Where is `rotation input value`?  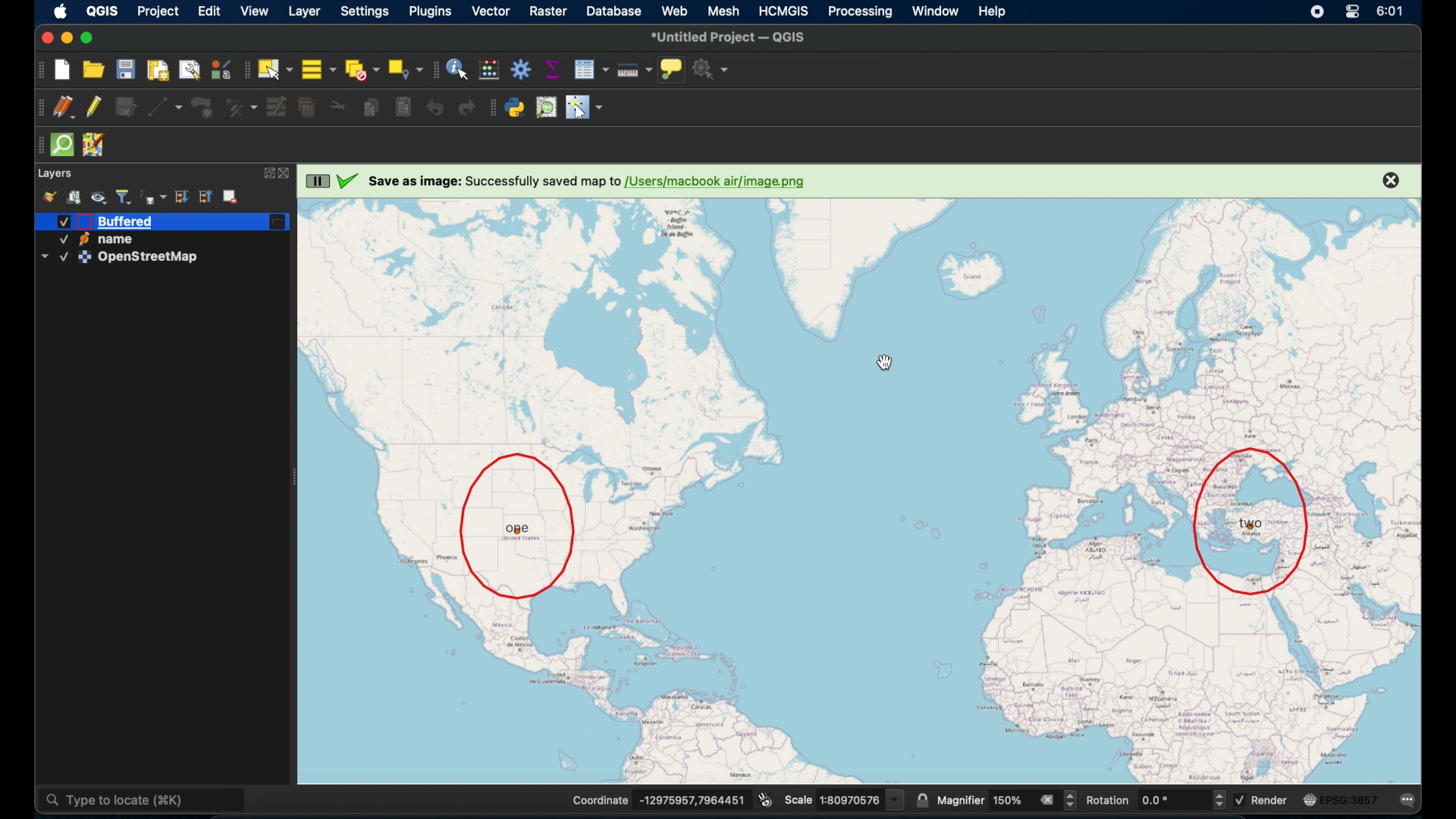
rotation input value is located at coordinates (1171, 801).